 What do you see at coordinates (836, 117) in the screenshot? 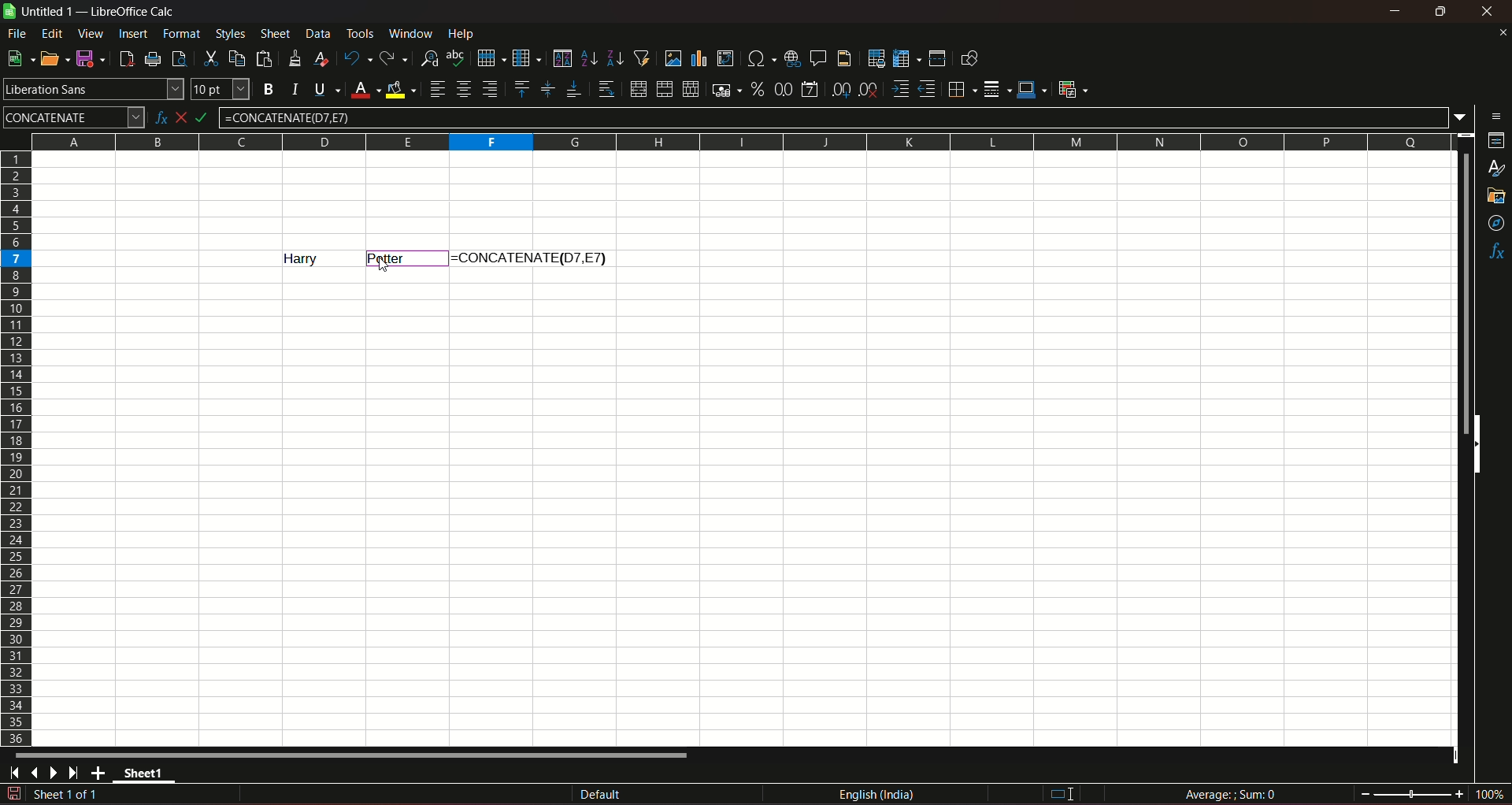
I see `input line` at bounding box center [836, 117].